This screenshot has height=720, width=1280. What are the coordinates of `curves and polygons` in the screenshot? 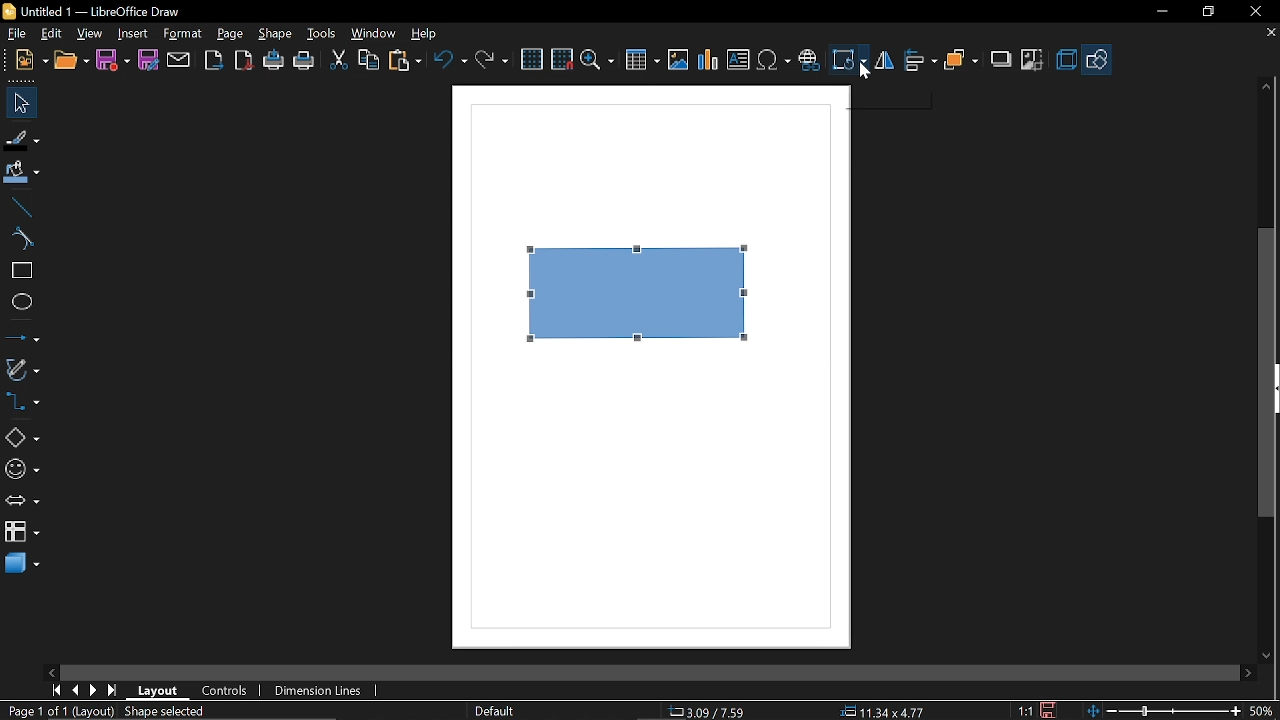 It's located at (22, 370).